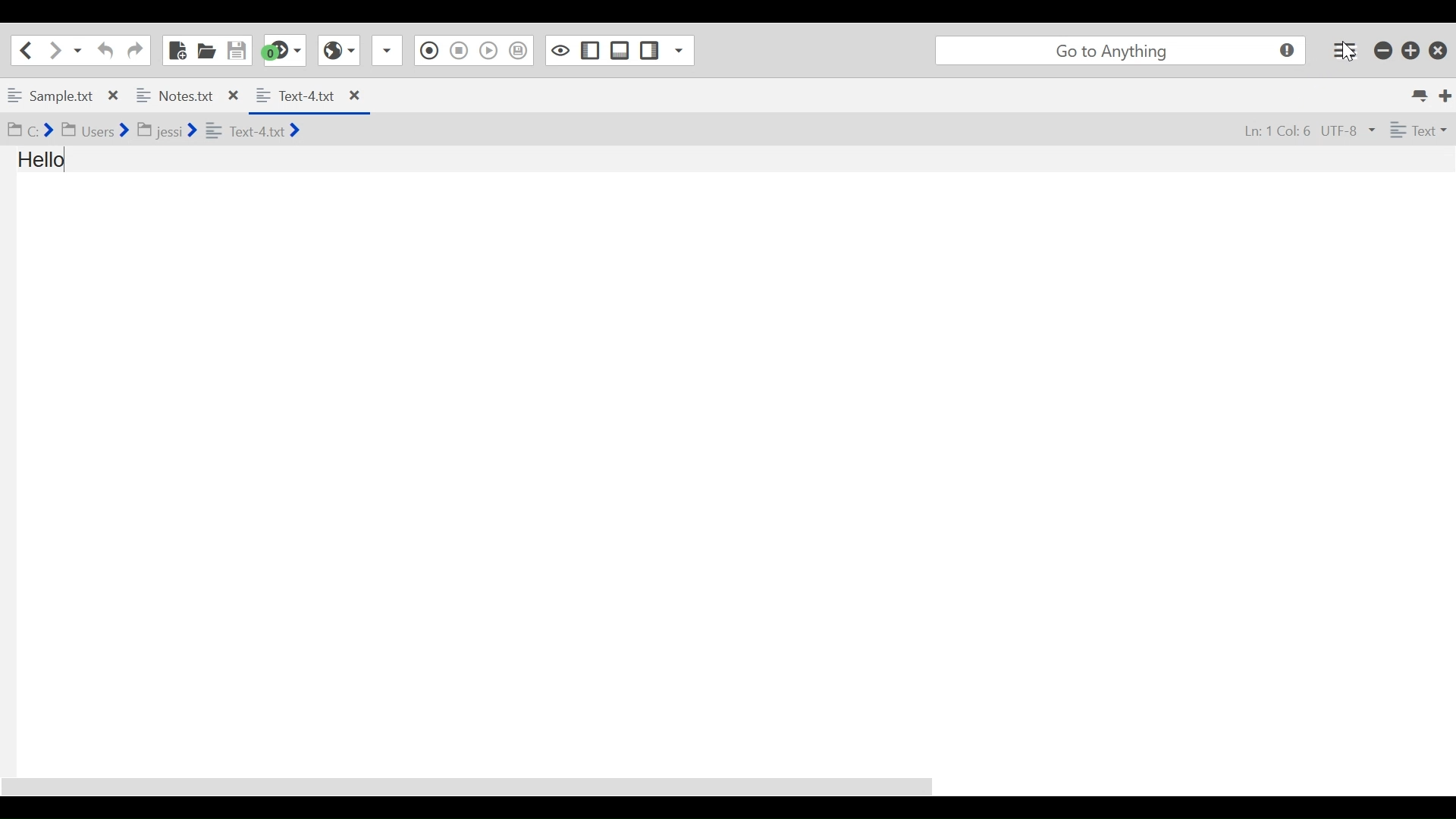  What do you see at coordinates (726, 460) in the screenshot?
I see `Text Entry Pane` at bounding box center [726, 460].